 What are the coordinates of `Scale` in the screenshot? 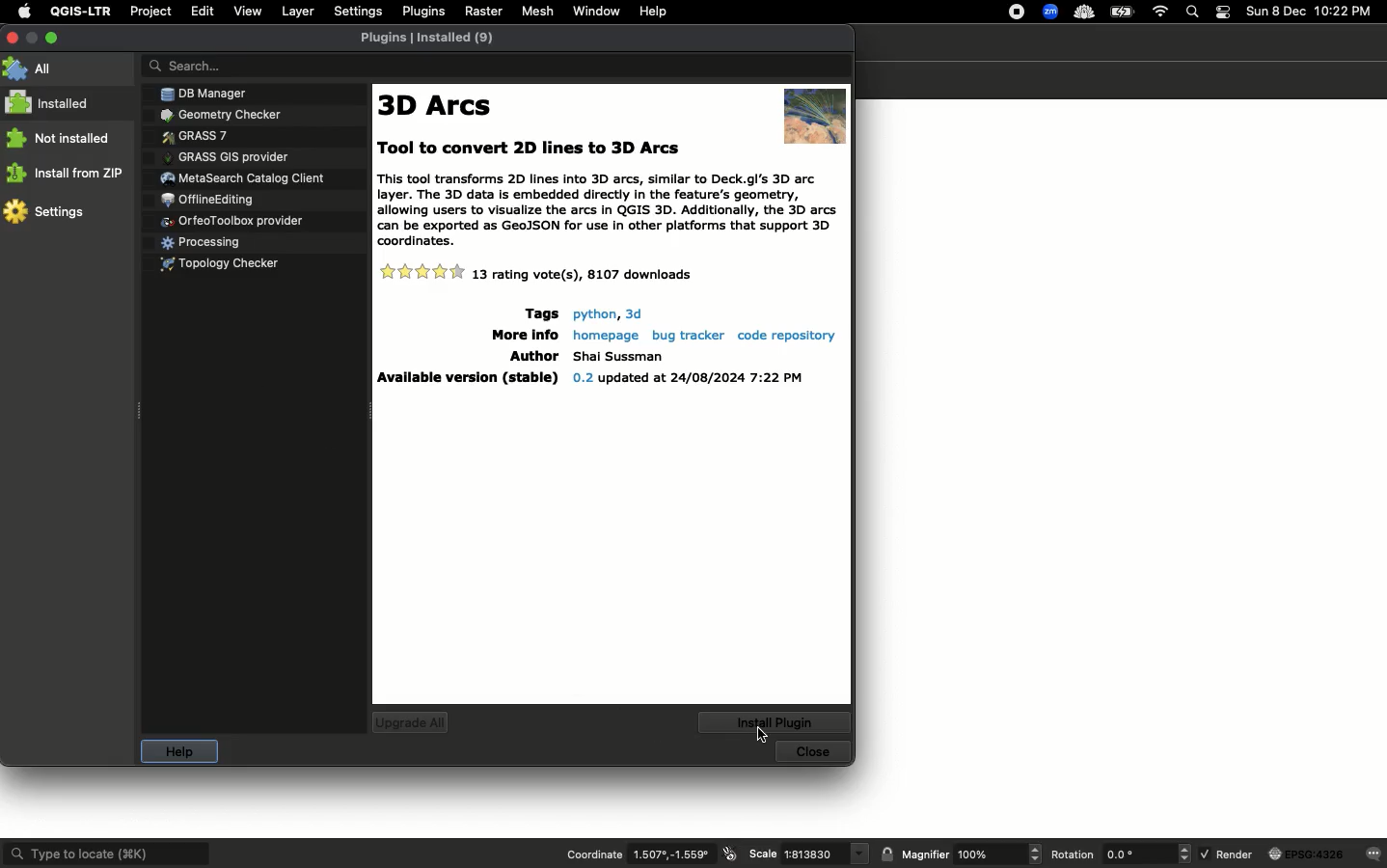 It's located at (827, 854).